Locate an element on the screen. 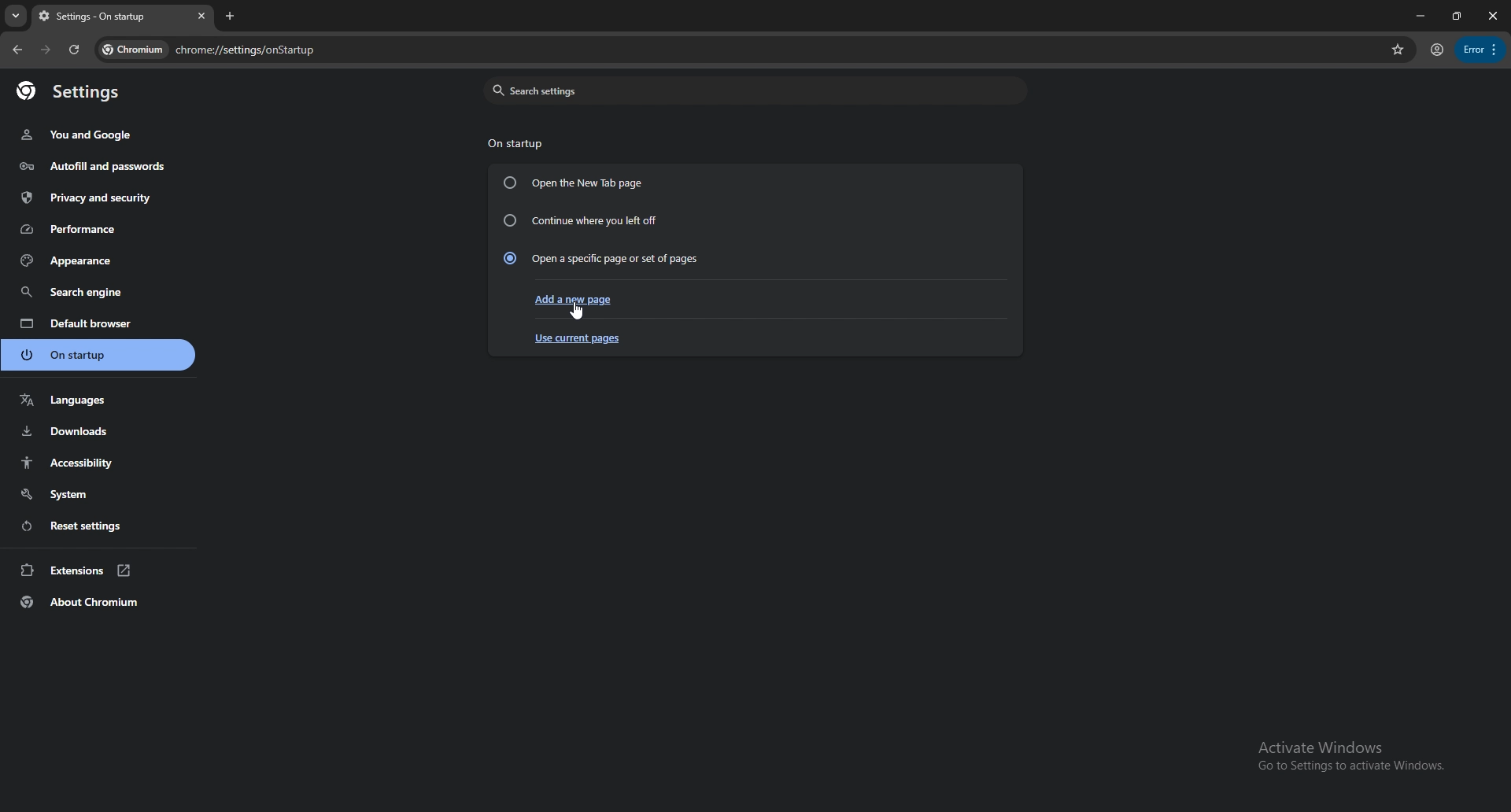 The height and width of the screenshot is (812, 1511). privacy and security is located at coordinates (91, 197).